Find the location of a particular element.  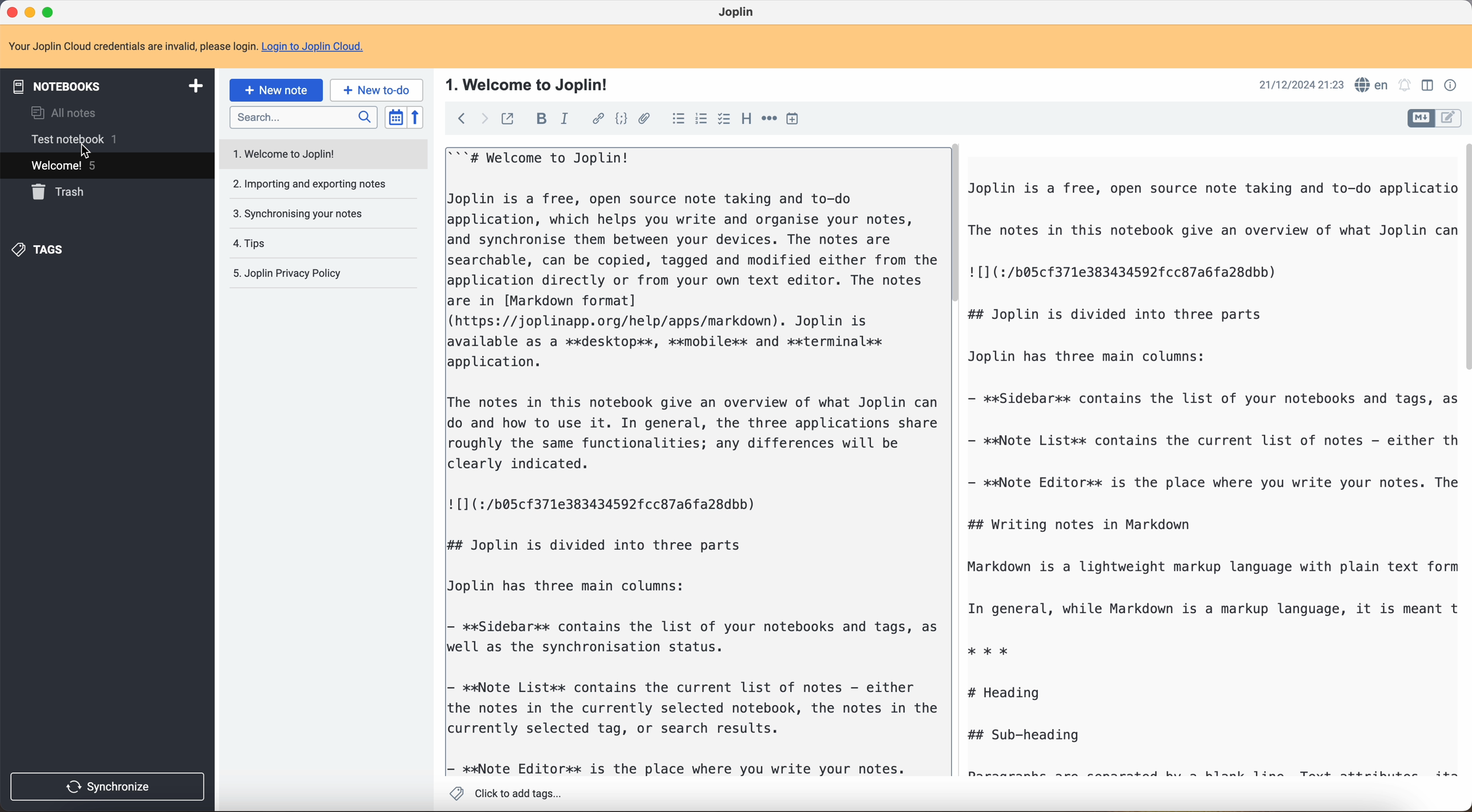

toggle editor layout is located at coordinates (1430, 85).